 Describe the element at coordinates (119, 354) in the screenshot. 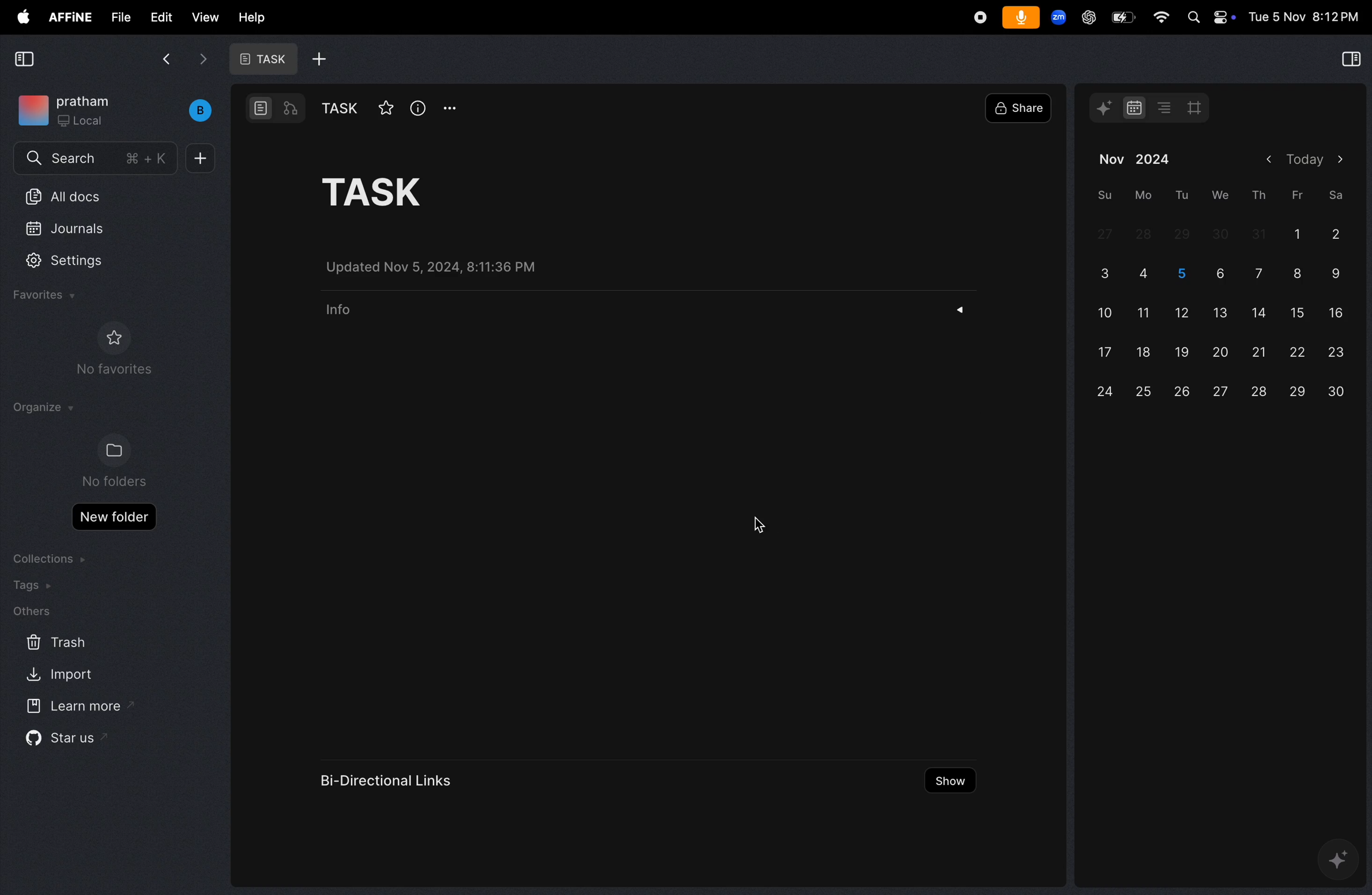

I see `no favourites` at that location.